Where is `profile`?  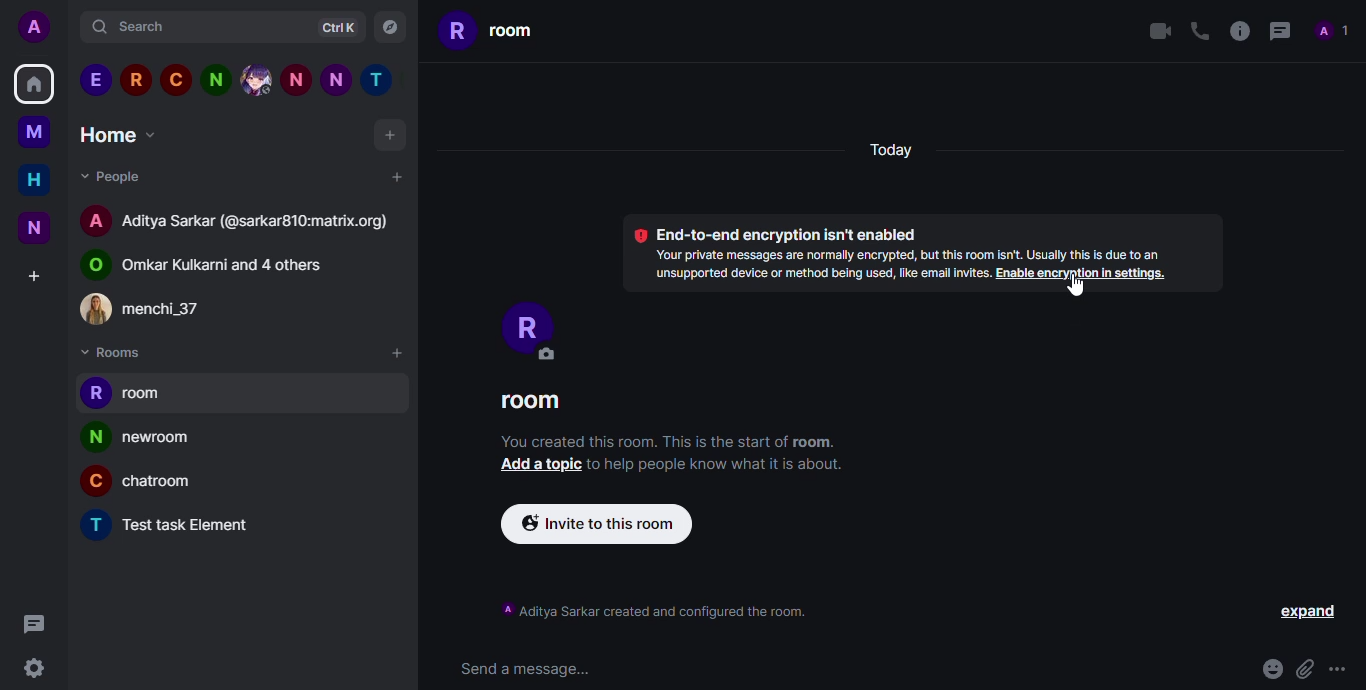
profile is located at coordinates (94, 393).